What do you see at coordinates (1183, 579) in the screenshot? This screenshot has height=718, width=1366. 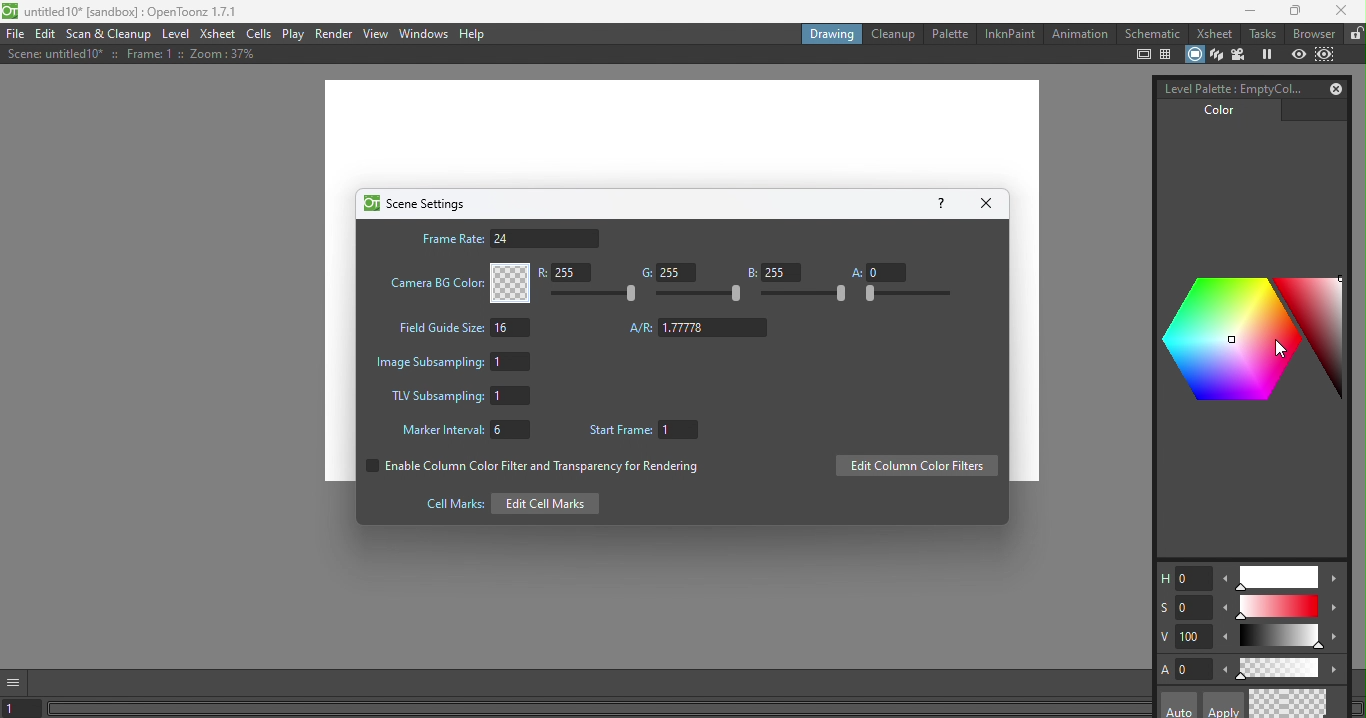 I see `H` at bounding box center [1183, 579].